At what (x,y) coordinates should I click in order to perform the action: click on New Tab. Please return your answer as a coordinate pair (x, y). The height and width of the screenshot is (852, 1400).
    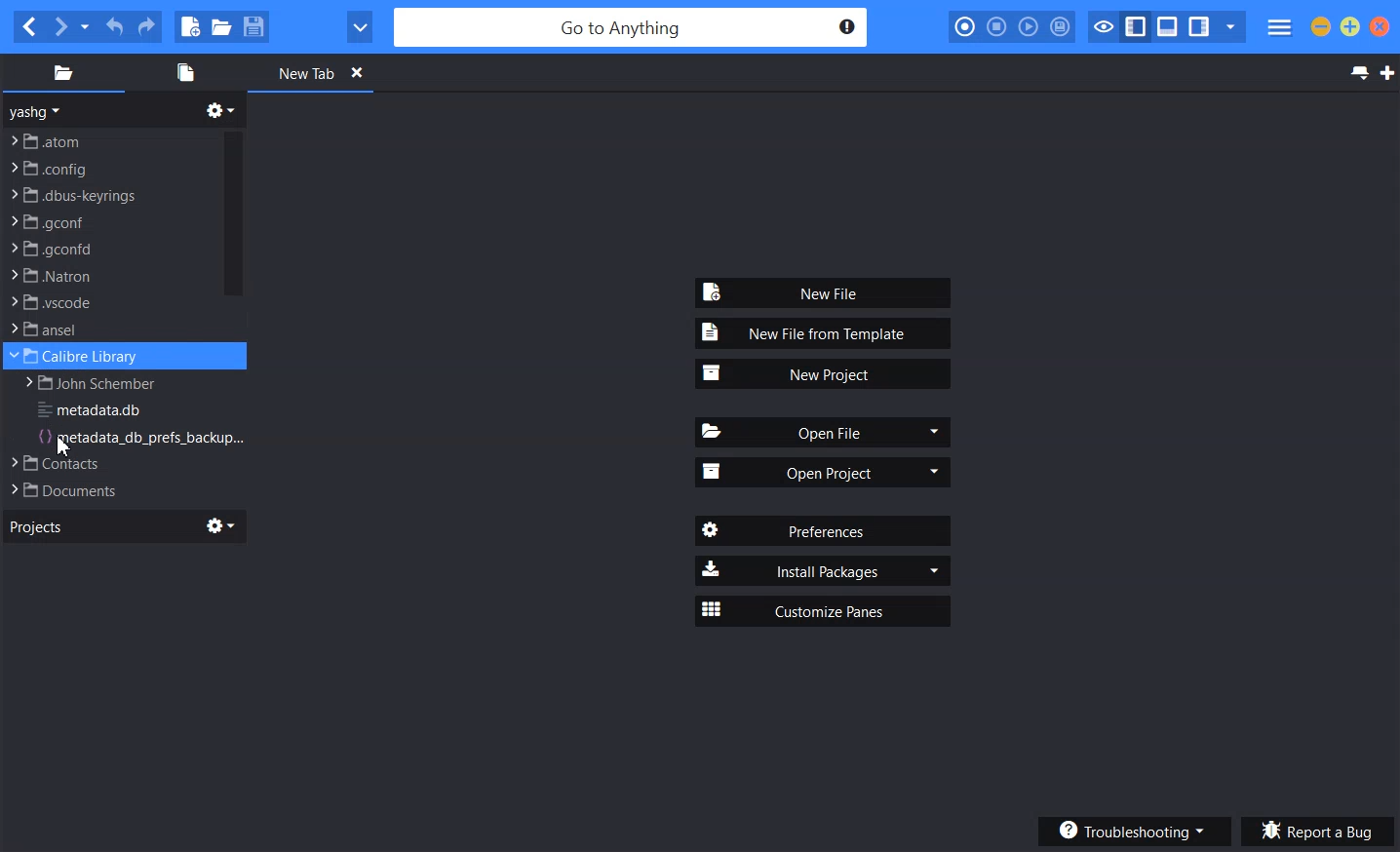
    Looking at the image, I should click on (292, 72).